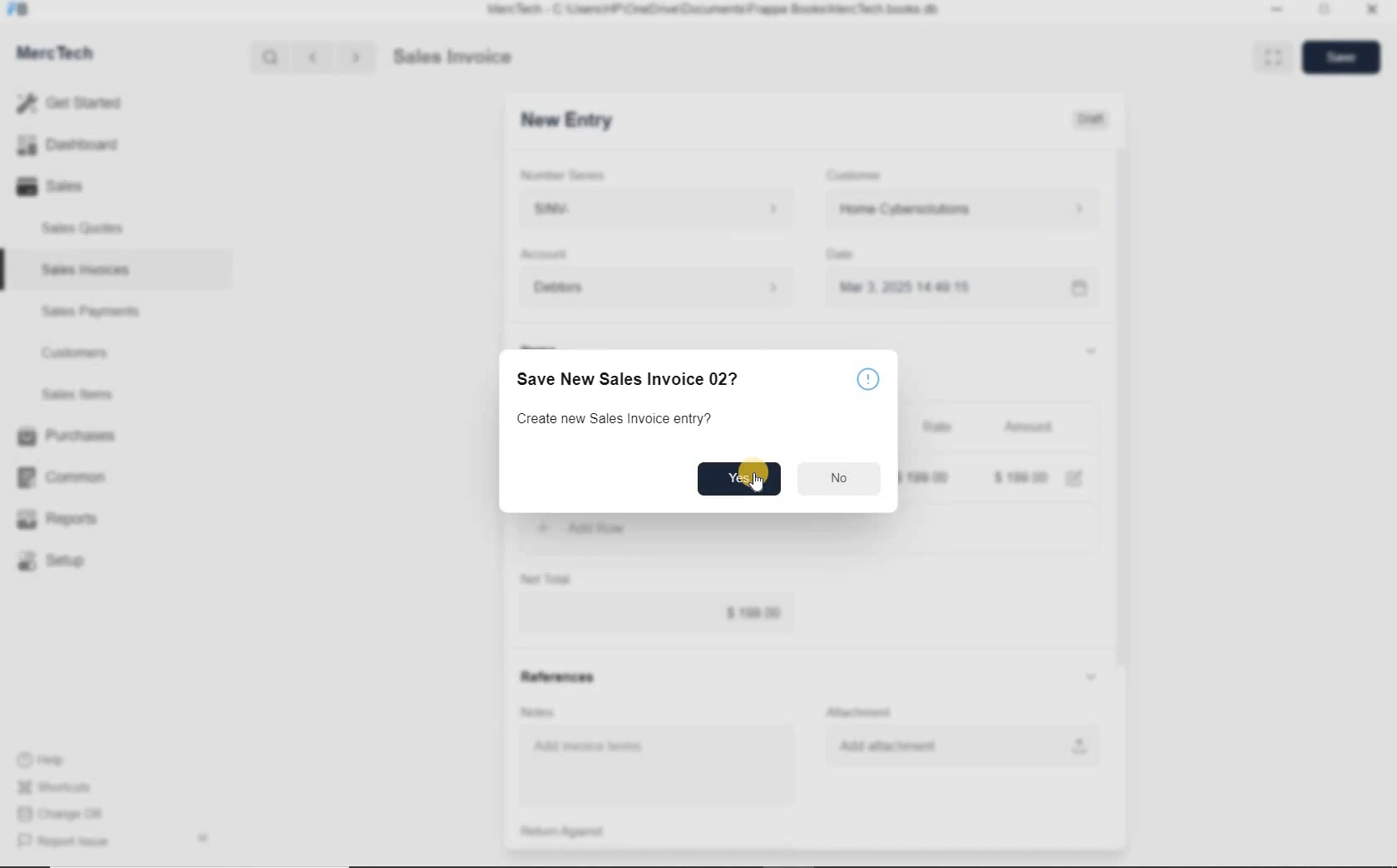 The image size is (1397, 868). Describe the element at coordinates (69, 437) in the screenshot. I see `Purchases` at that location.